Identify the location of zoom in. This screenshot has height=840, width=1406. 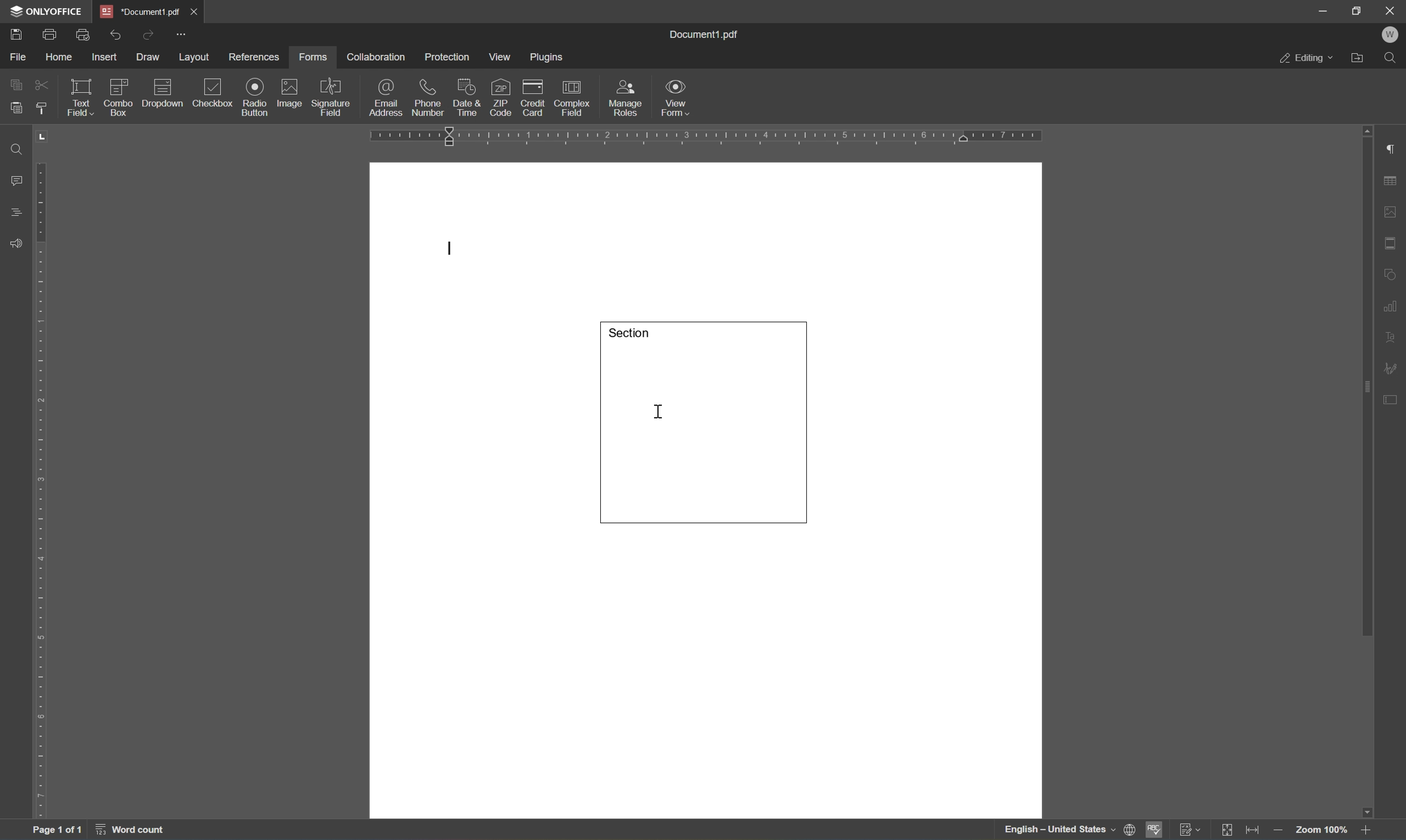
(1367, 829).